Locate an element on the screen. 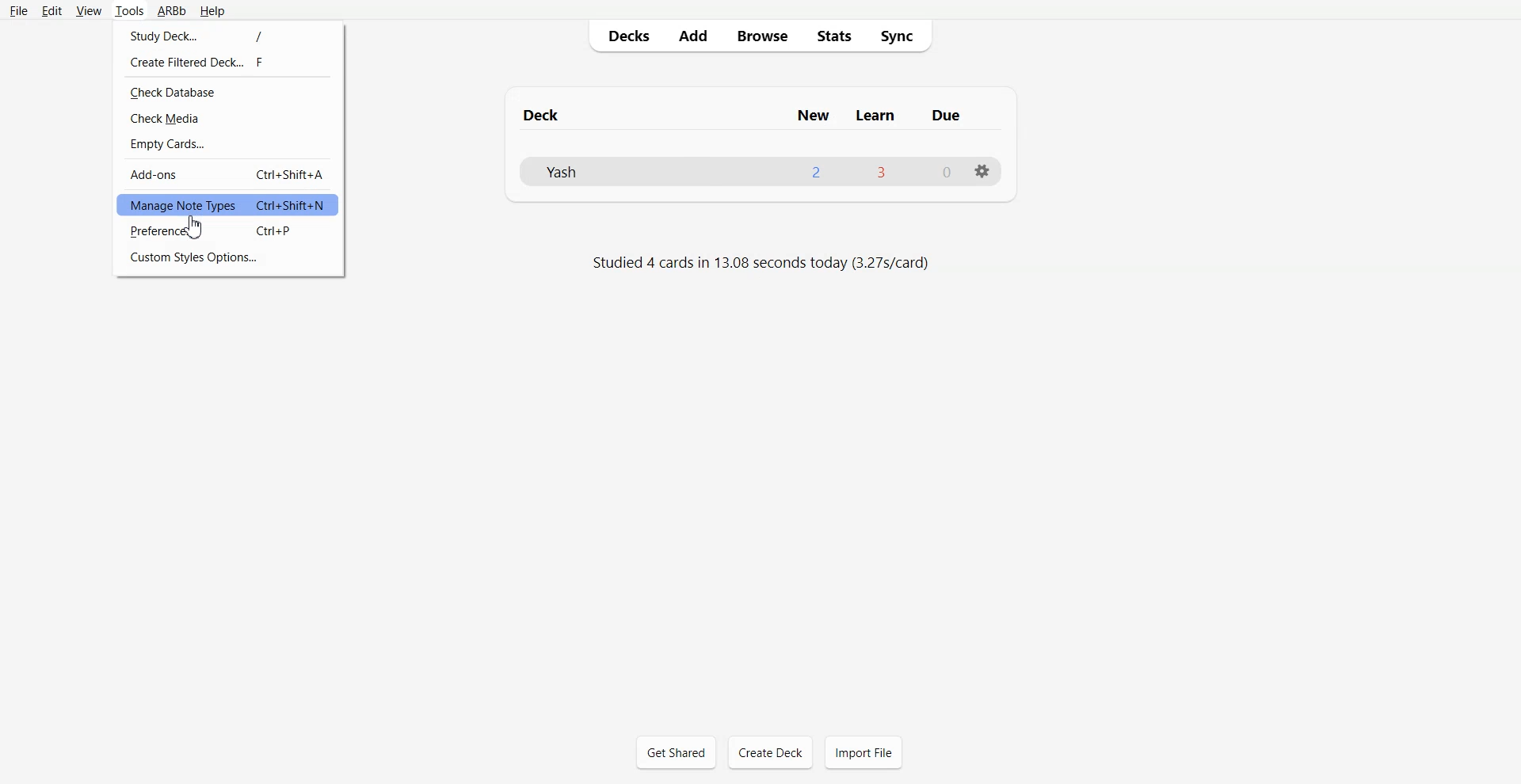  Edit is located at coordinates (52, 11).